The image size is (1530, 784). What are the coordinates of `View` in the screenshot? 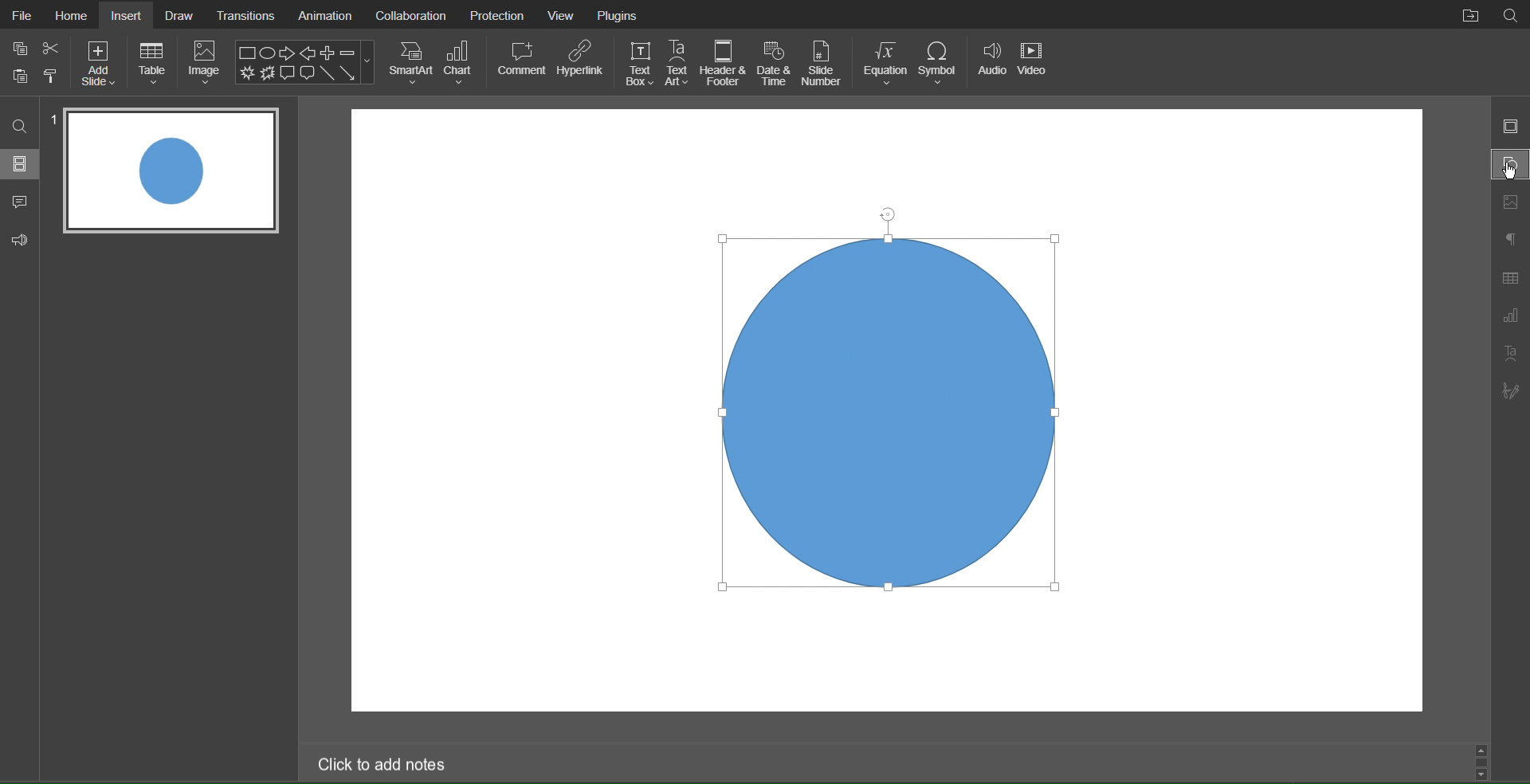 It's located at (561, 15).